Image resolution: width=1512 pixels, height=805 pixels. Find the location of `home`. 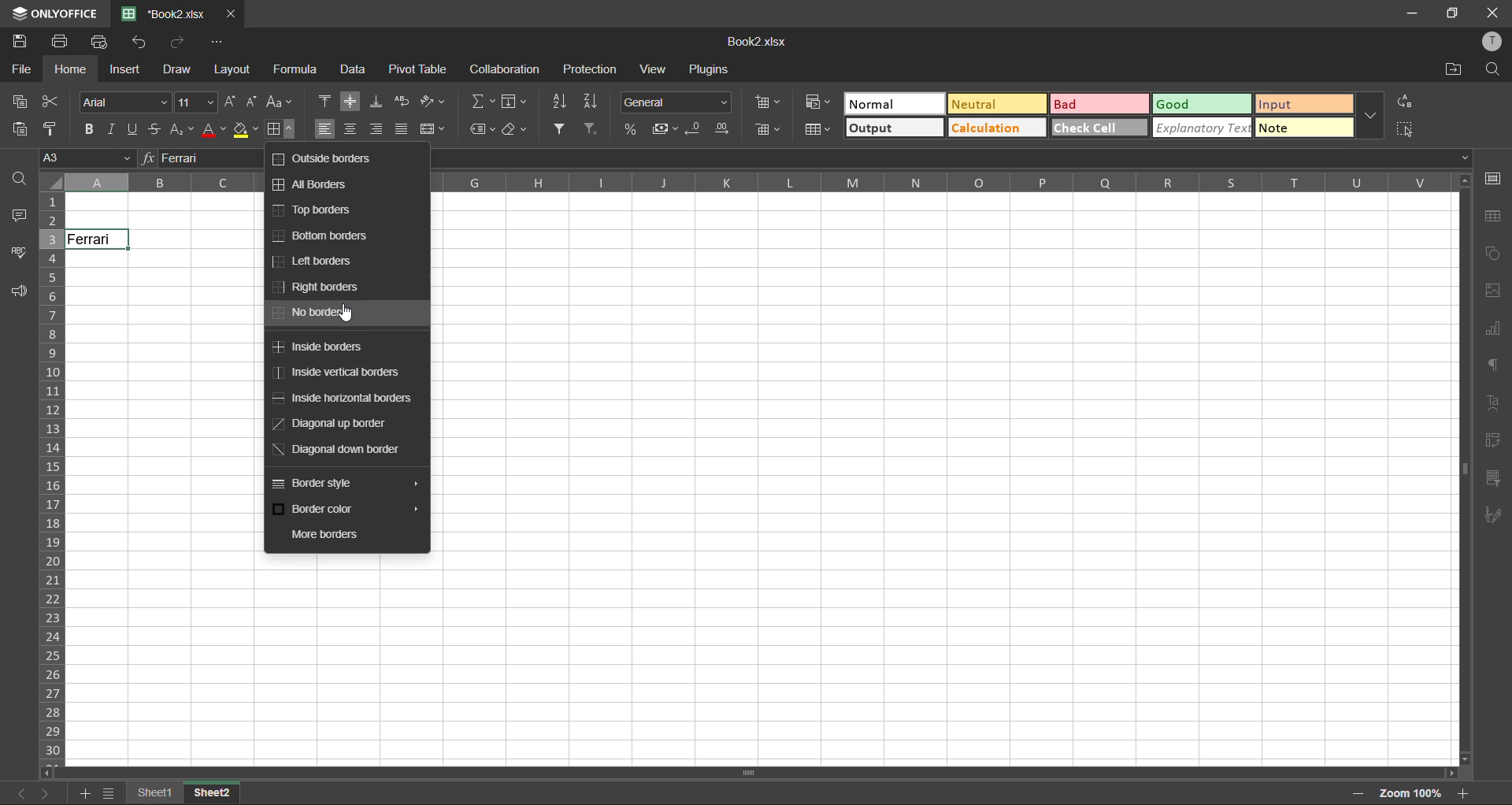

home is located at coordinates (72, 69).